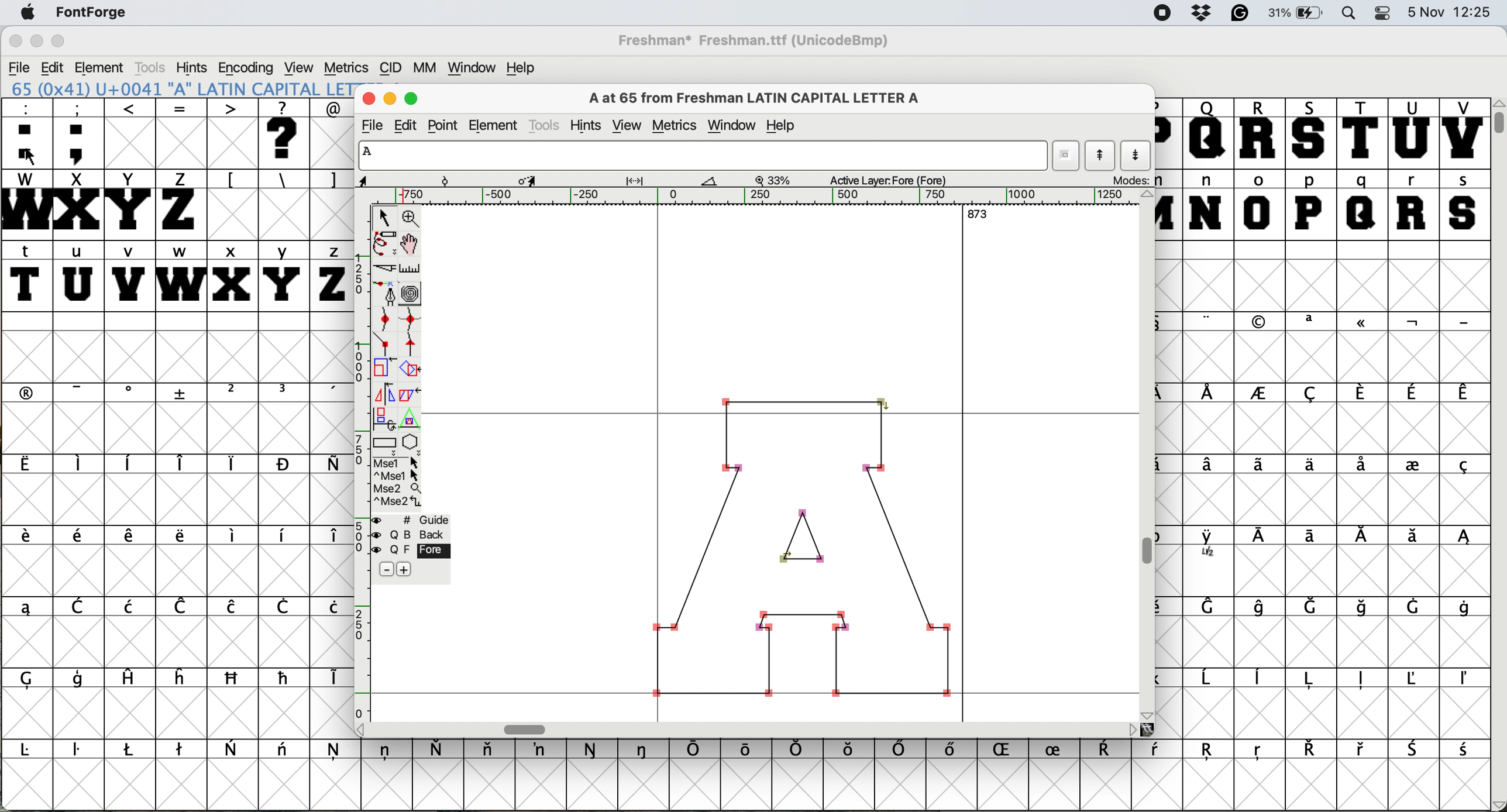 The width and height of the screenshot is (1507, 812). I want to click on ^Mse2, so click(398, 505).